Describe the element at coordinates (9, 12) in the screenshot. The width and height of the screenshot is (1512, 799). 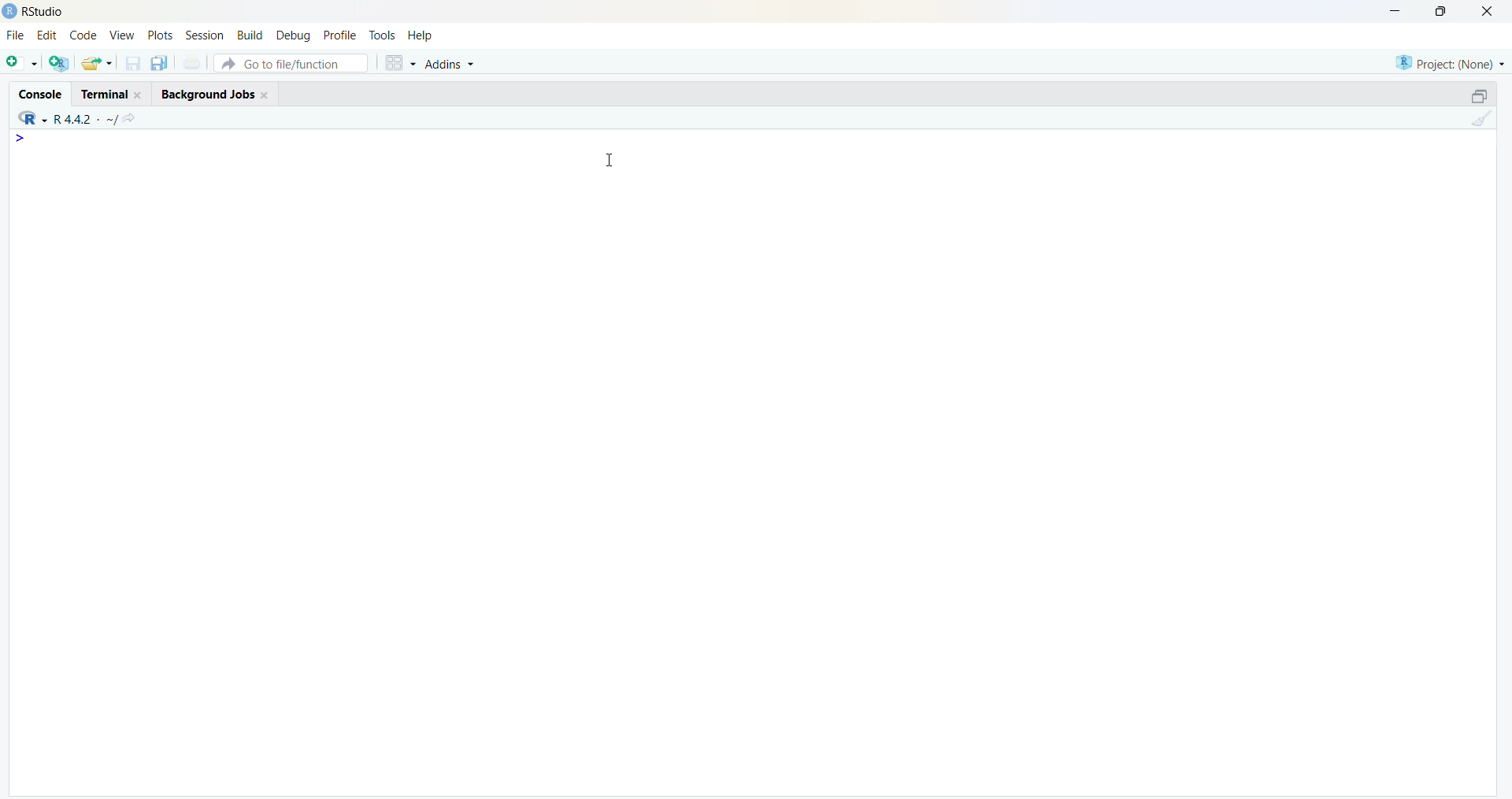
I see `logo` at that location.